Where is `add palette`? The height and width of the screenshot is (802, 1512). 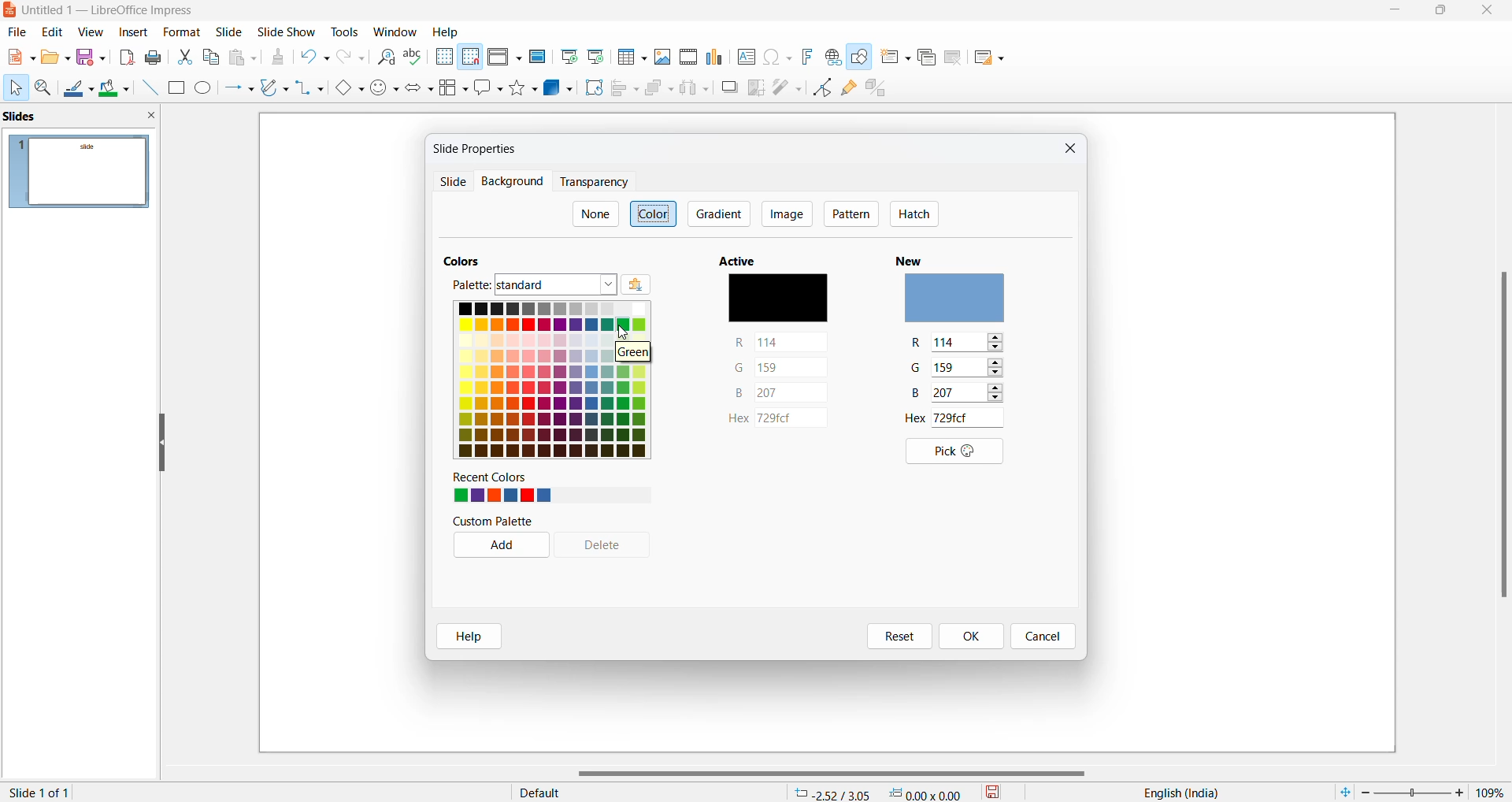
add palette is located at coordinates (498, 547).